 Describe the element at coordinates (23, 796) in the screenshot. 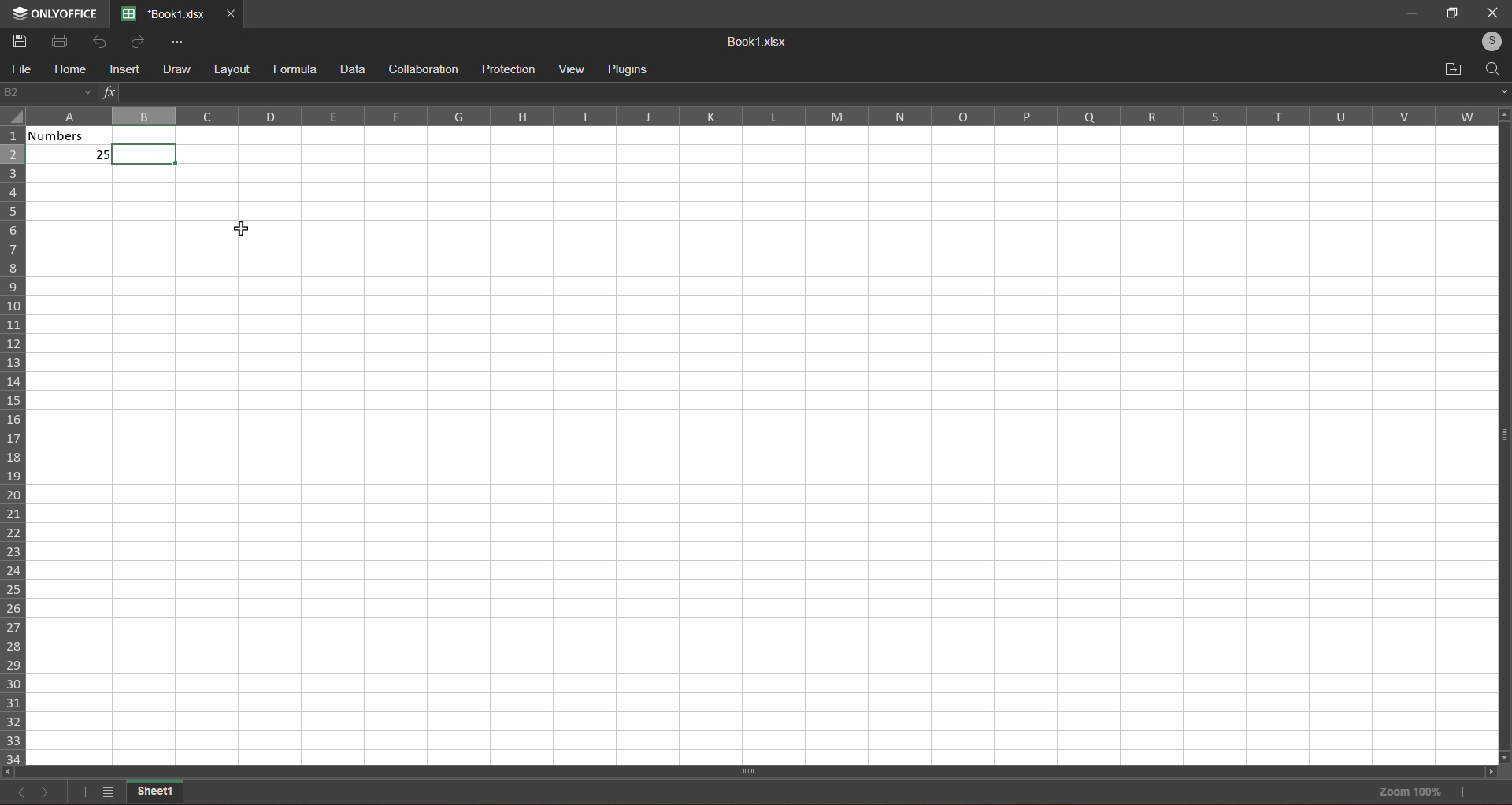

I see `previous` at that location.